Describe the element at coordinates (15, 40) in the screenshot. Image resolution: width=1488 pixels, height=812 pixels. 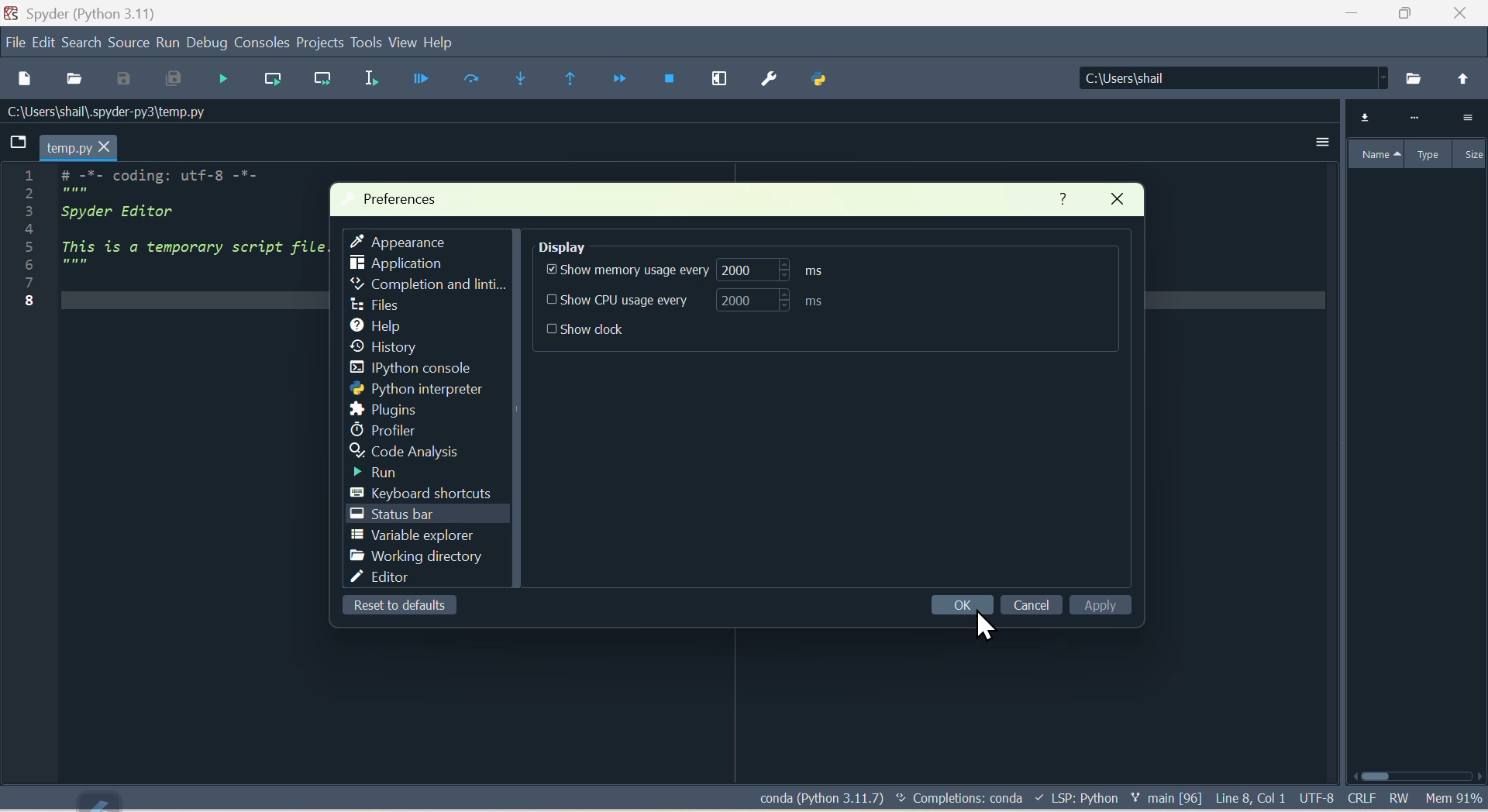
I see `file` at that location.